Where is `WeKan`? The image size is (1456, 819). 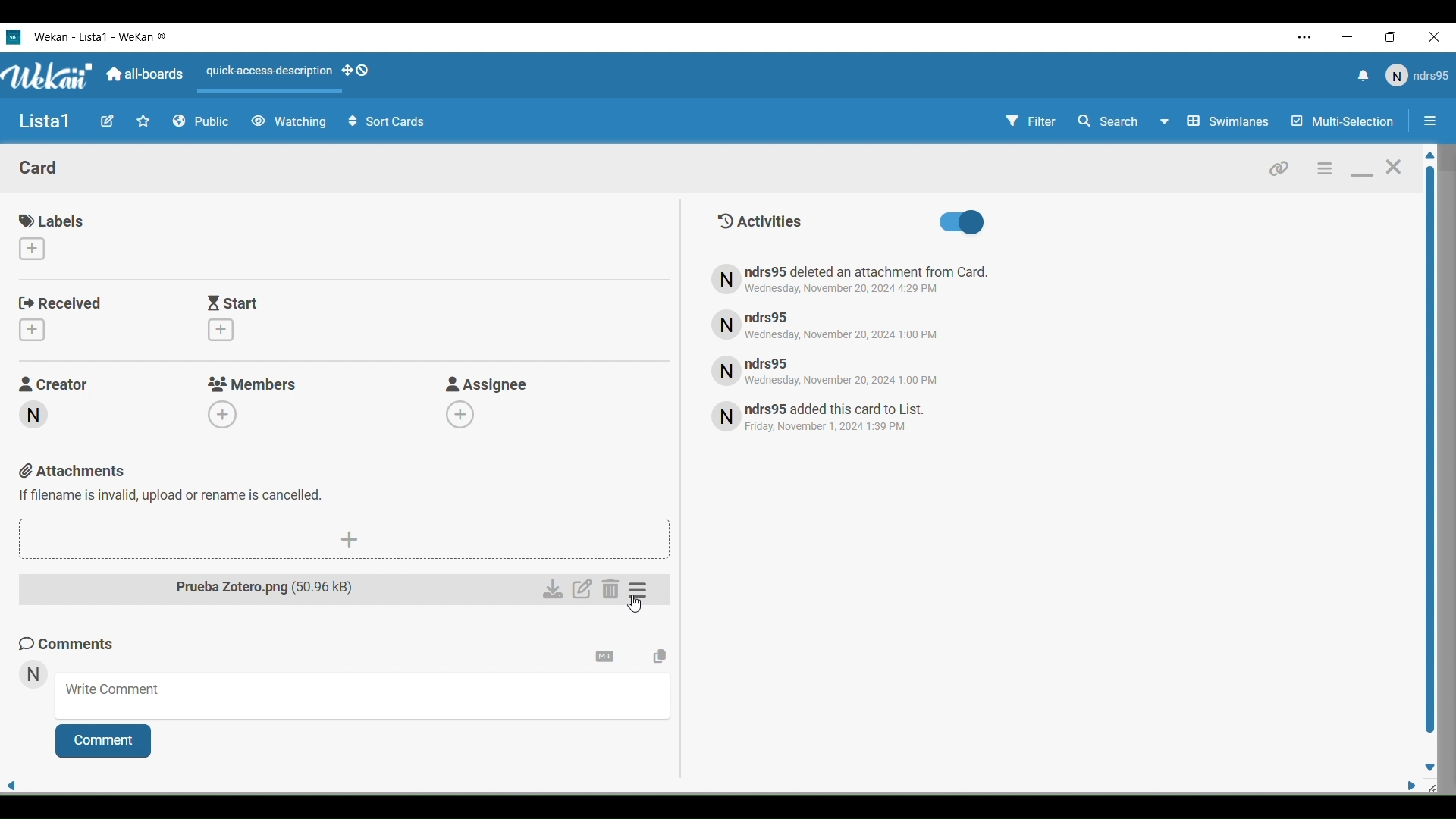 WeKan is located at coordinates (49, 76).